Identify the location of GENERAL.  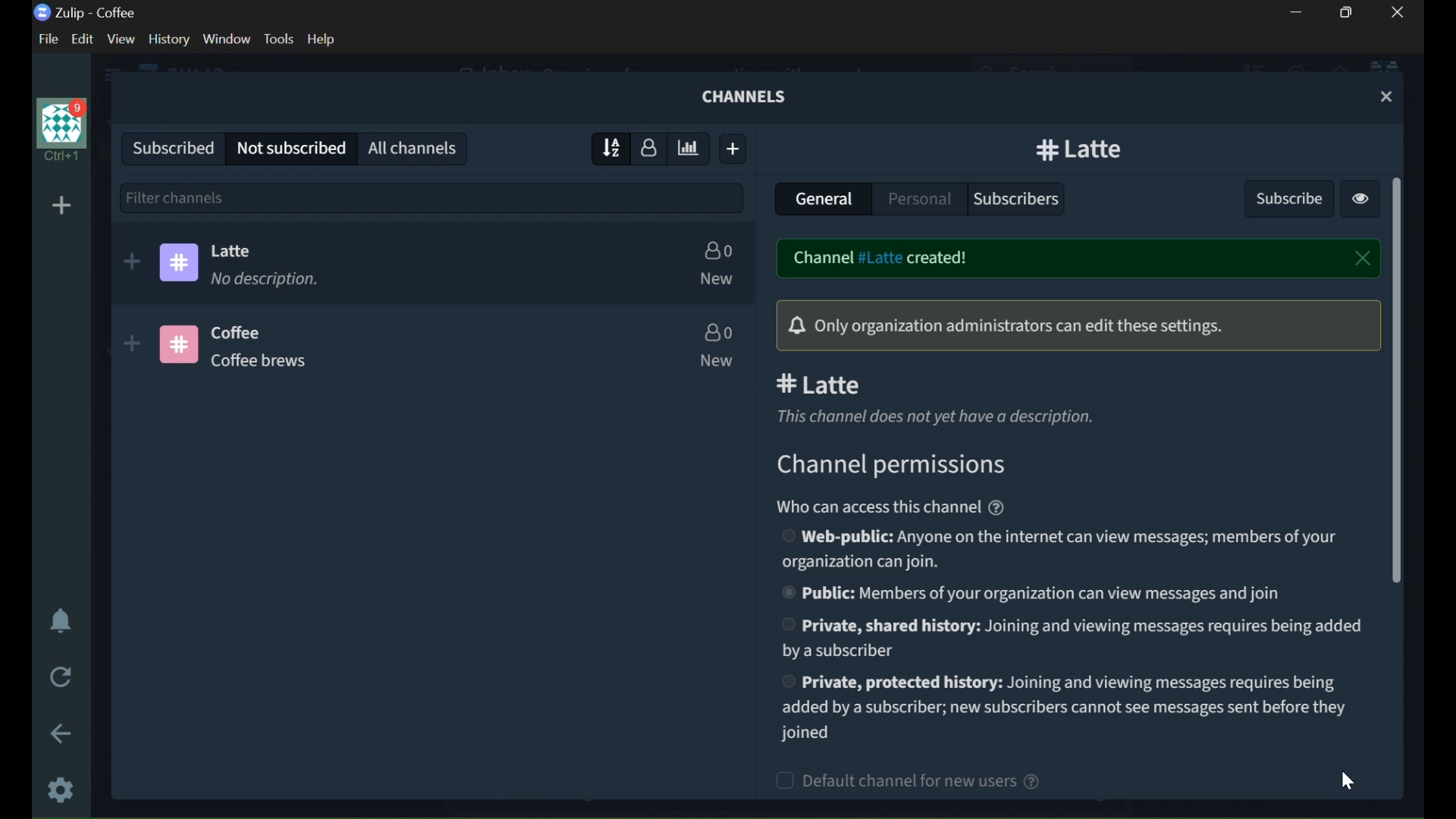
(823, 200).